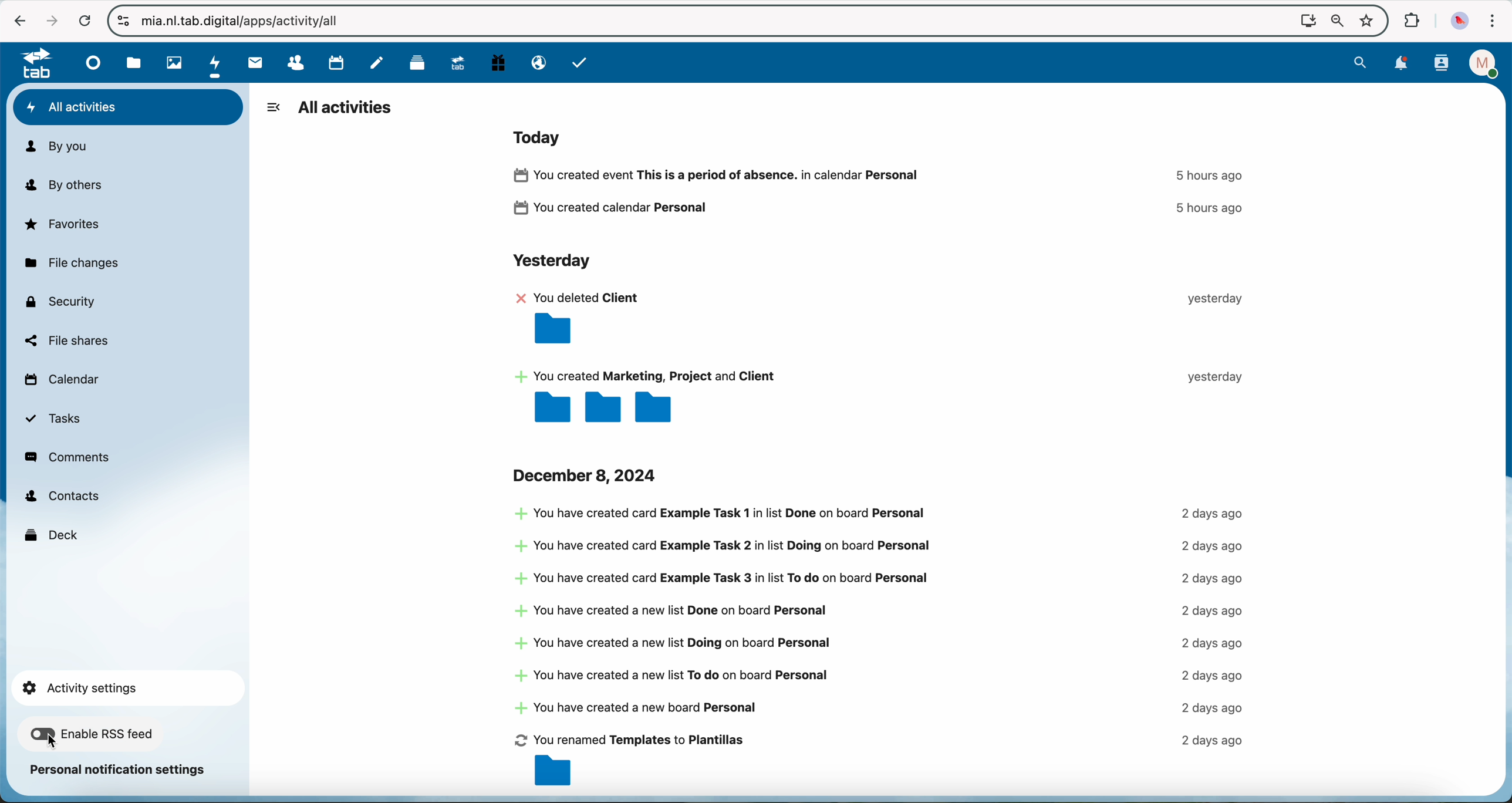  I want to click on calendar, so click(332, 62).